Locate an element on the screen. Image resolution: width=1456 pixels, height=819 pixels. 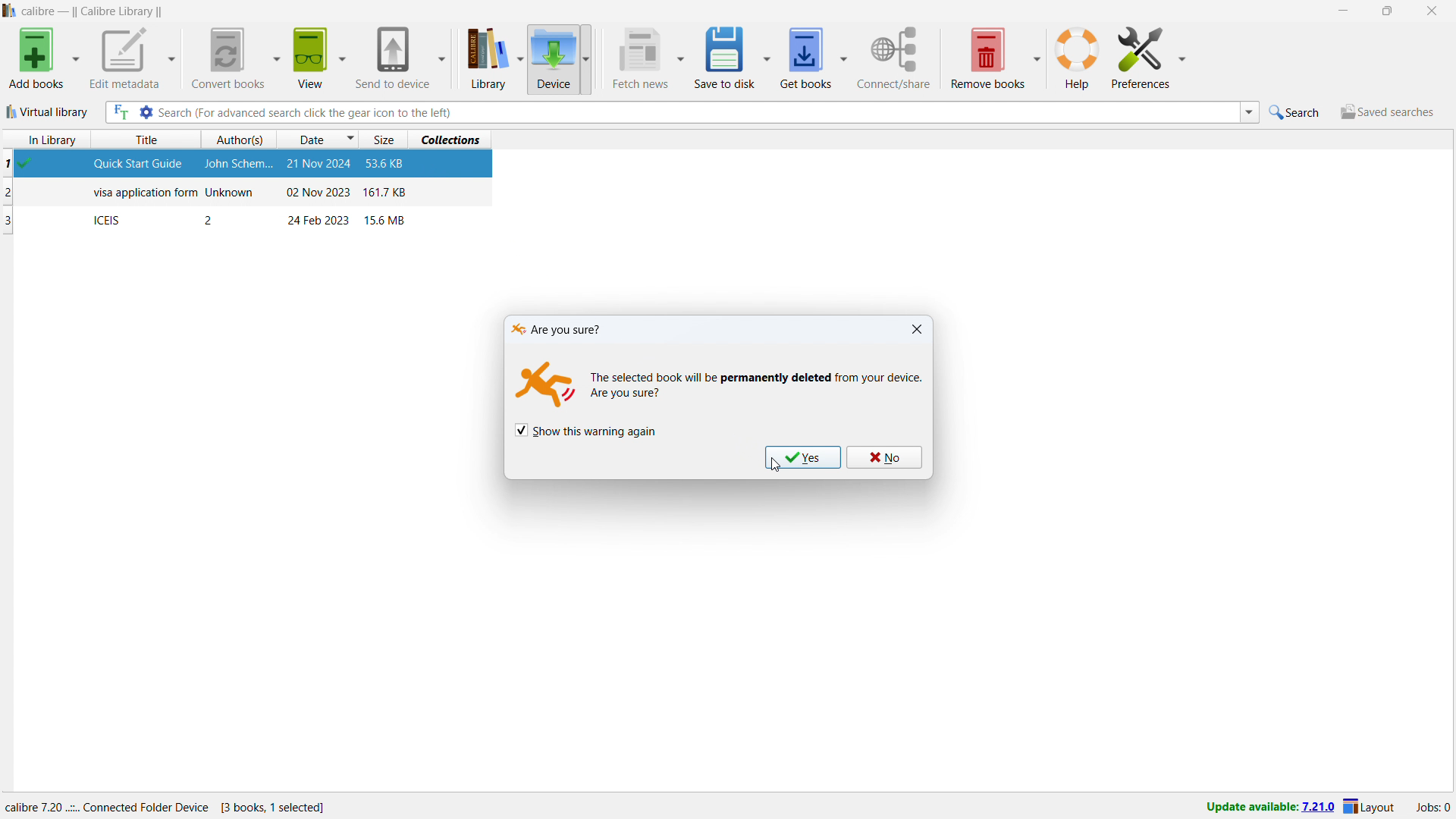
library is located at coordinates (482, 60).